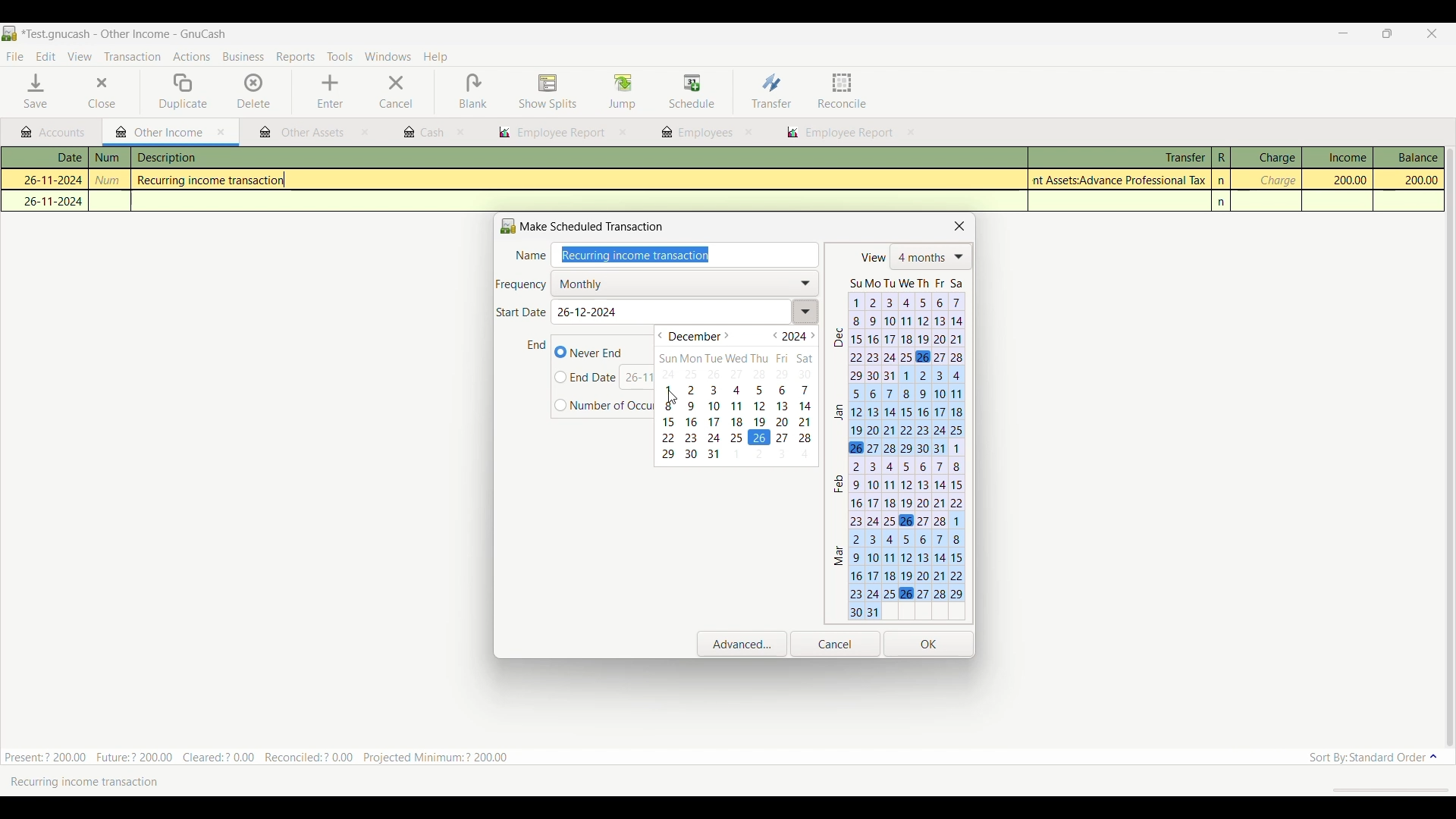 The width and height of the screenshot is (1456, 819). I want to click on Selected frequency reflecting, so click(689, 283).